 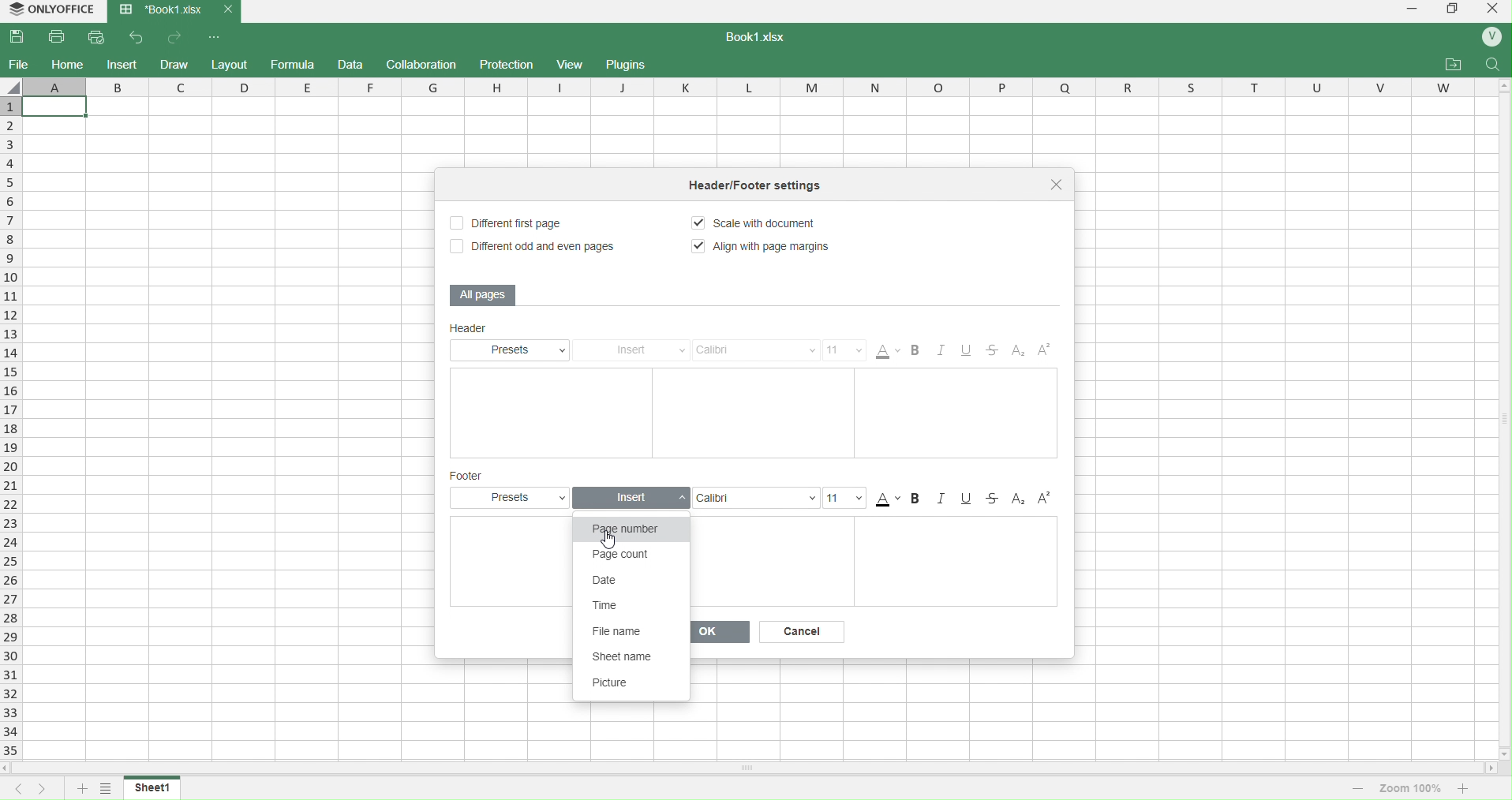 I want to click on data, so click(x=353, y=65).